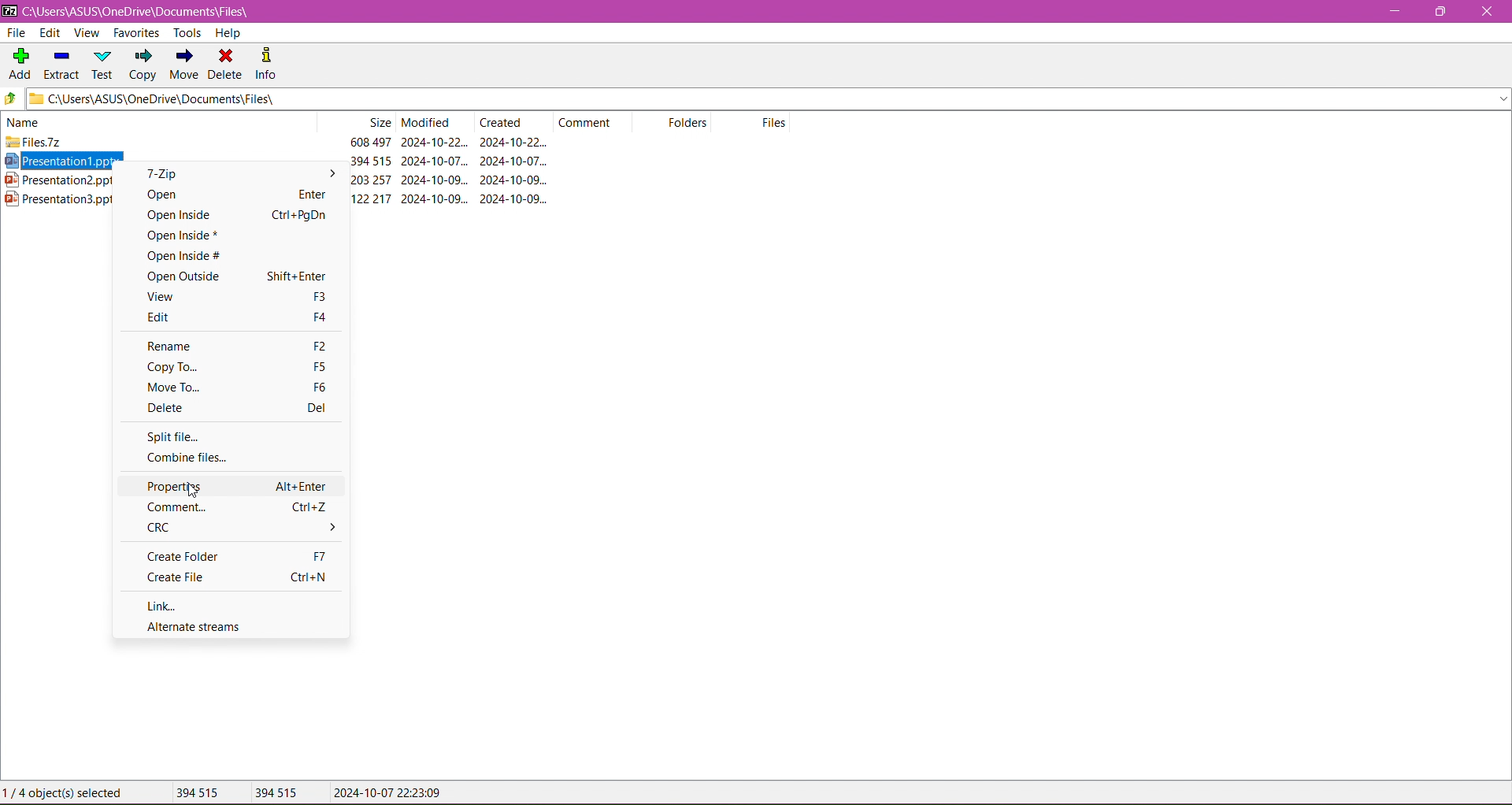 The height and width of the screenshot is (805, 1512). What do you see at coordinates (187, 65) in the screenshot?
I see `Move` at bounding box center [187, 65].